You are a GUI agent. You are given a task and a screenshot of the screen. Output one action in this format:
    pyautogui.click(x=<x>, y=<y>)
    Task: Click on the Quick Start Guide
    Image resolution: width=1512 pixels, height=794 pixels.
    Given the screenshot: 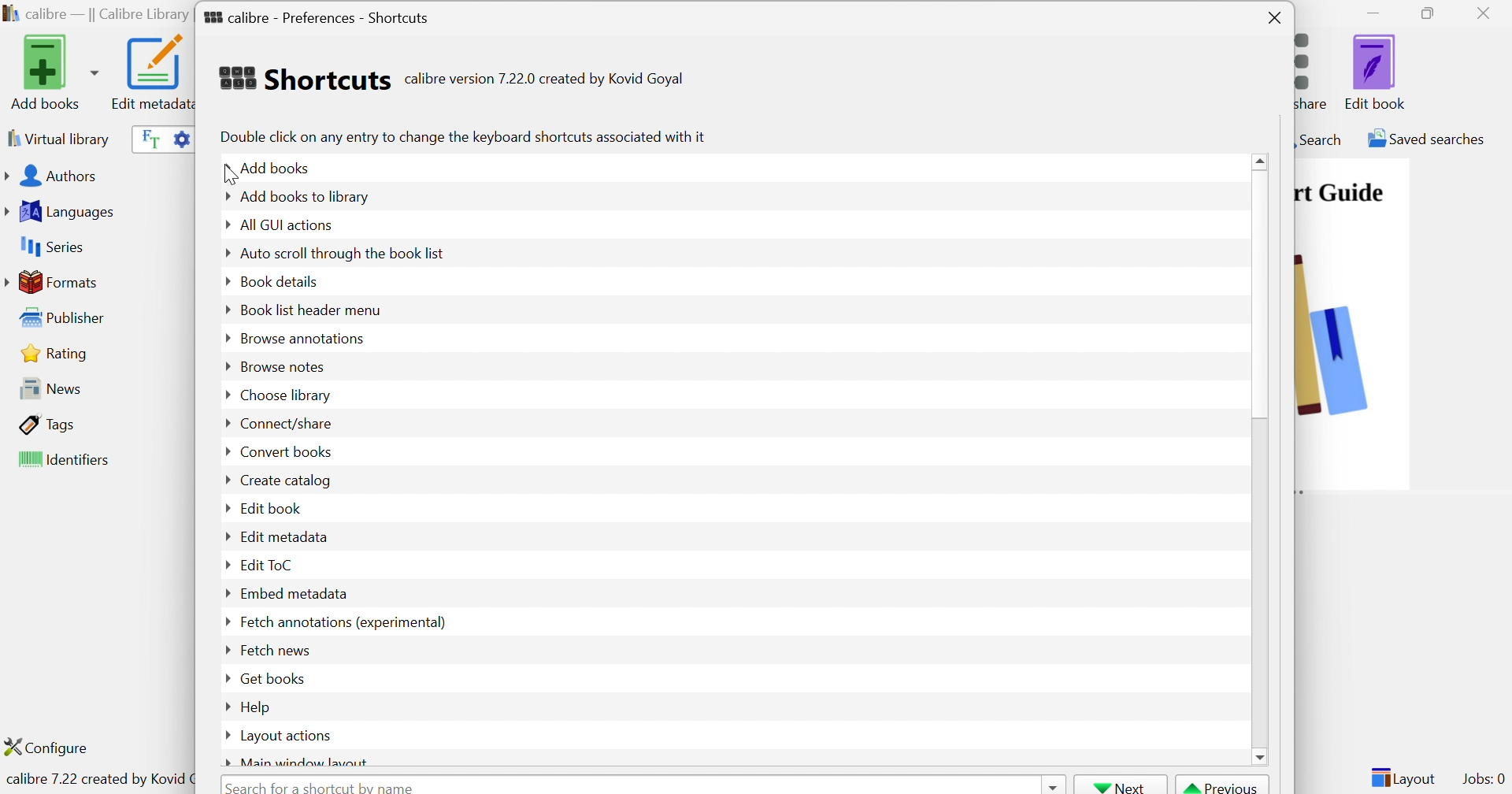 What is the action you would take?
    pyautogui.click(x=1340, y=192)
    